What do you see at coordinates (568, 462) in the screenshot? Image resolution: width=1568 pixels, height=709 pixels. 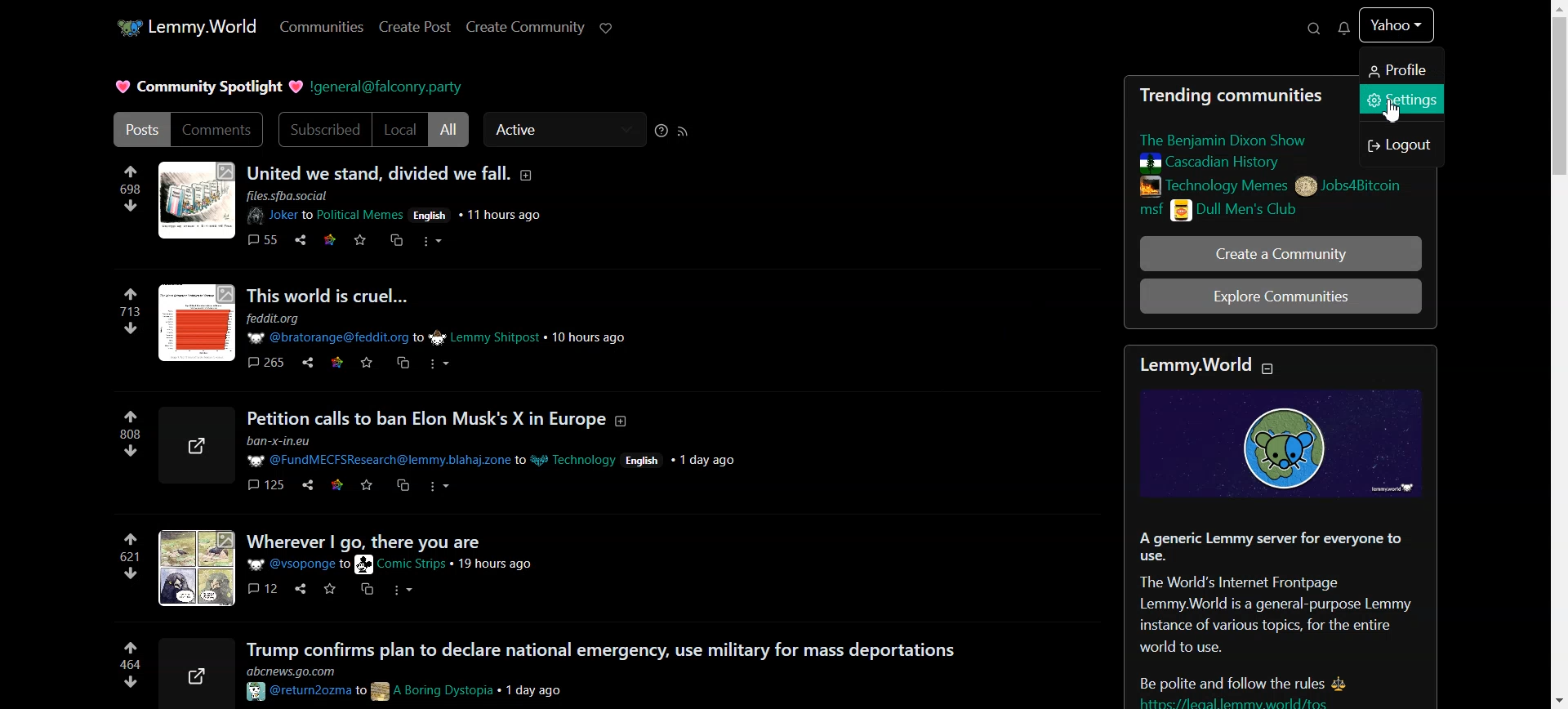 I see `Technology` at bounding box center [568, 462].